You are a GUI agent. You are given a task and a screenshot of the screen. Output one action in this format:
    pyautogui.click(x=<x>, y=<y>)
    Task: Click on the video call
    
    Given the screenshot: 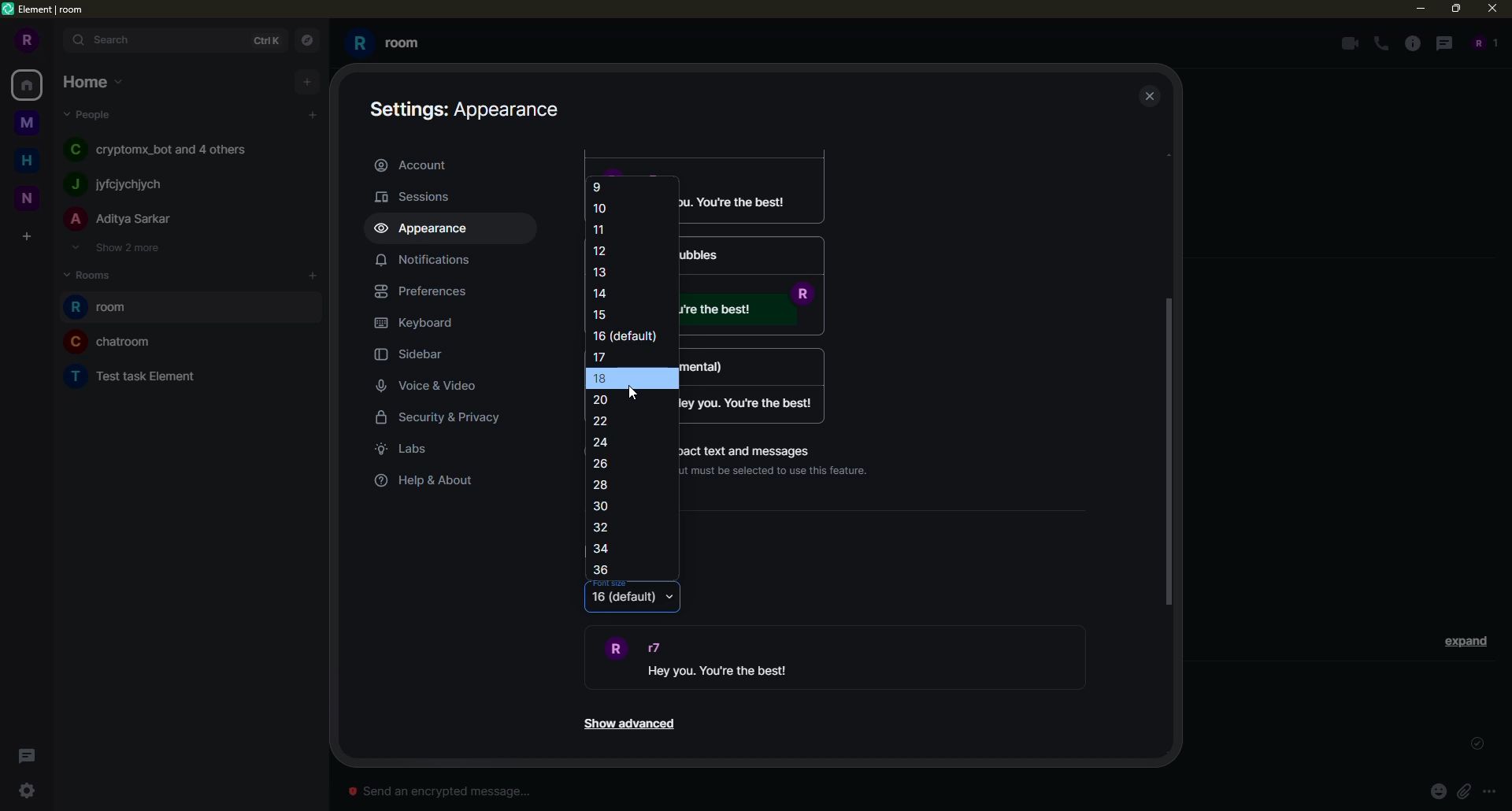 What is the action you would take?
    pyautogui.click(x=1347, y=43)
    